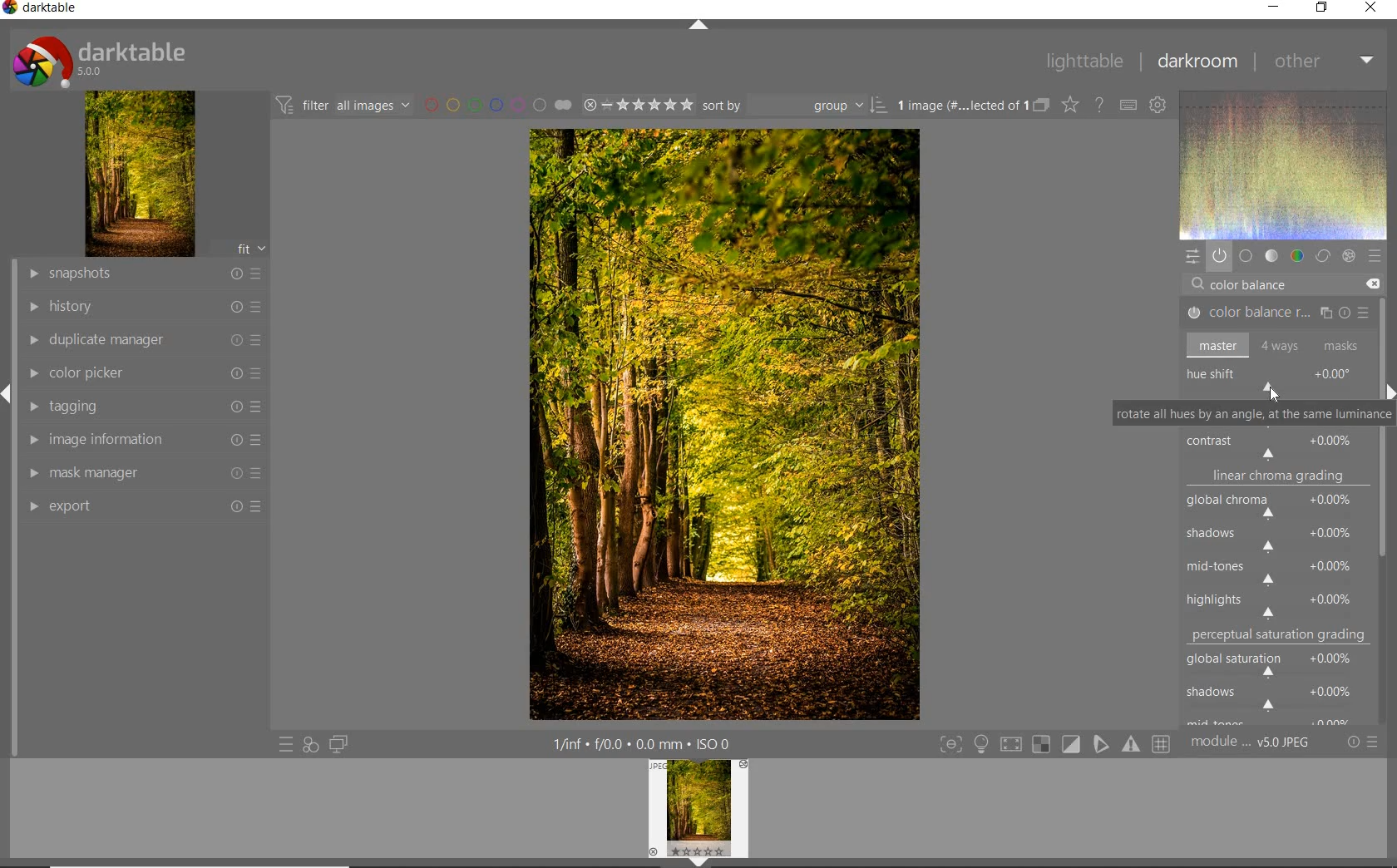  What do you see at coordinates (1281, 601) in the screenshot?
I see `highlights` at bounding box center [1281, 601].